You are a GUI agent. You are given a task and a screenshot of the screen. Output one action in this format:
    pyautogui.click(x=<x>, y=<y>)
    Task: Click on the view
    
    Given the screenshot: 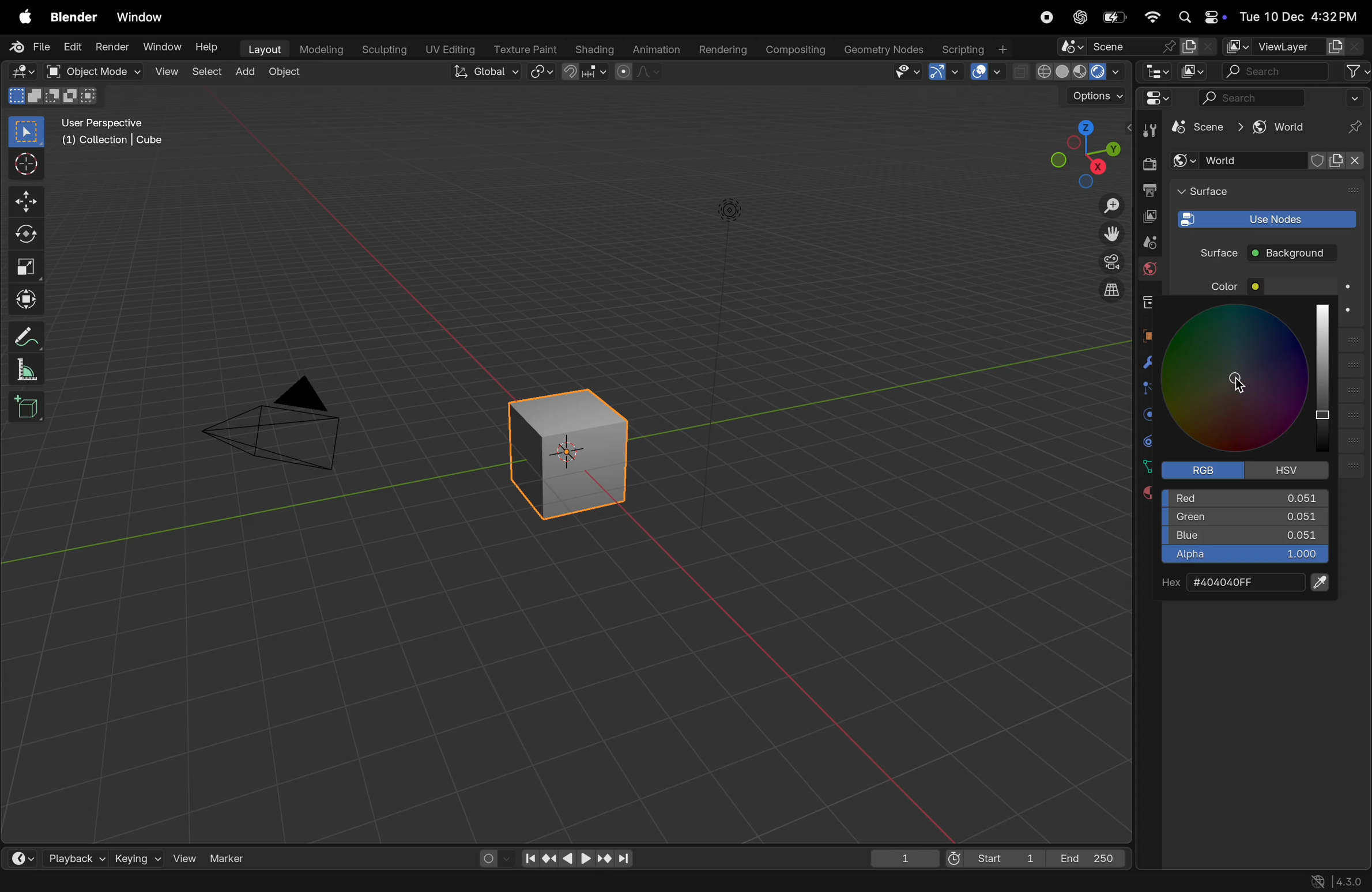 What is the action you would take?
    pyautogui.click(x=184, y=856)
    